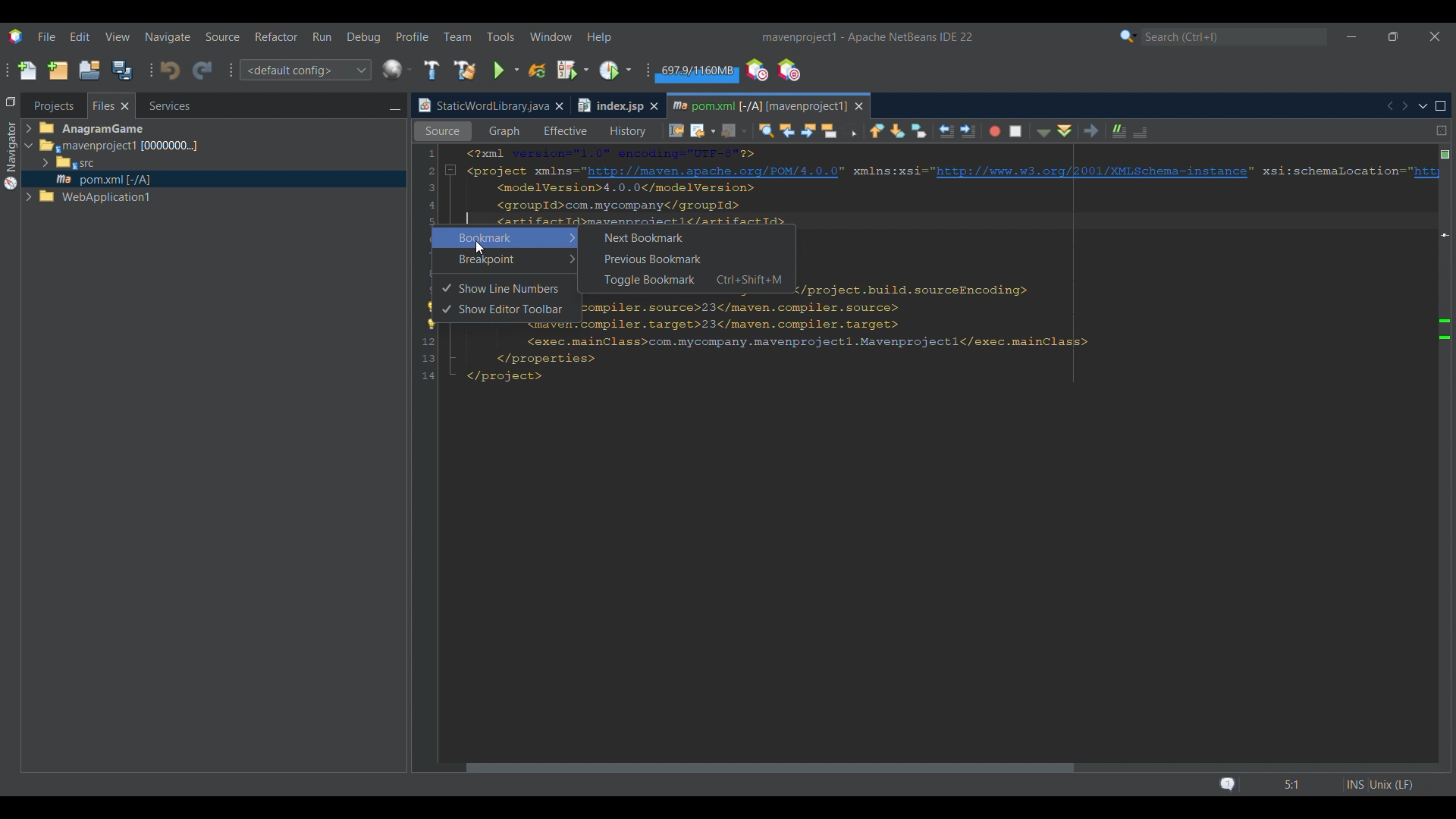 This screenshot has width=1456, height=819. I want to click on Find next occurrence , so click(808, 131).